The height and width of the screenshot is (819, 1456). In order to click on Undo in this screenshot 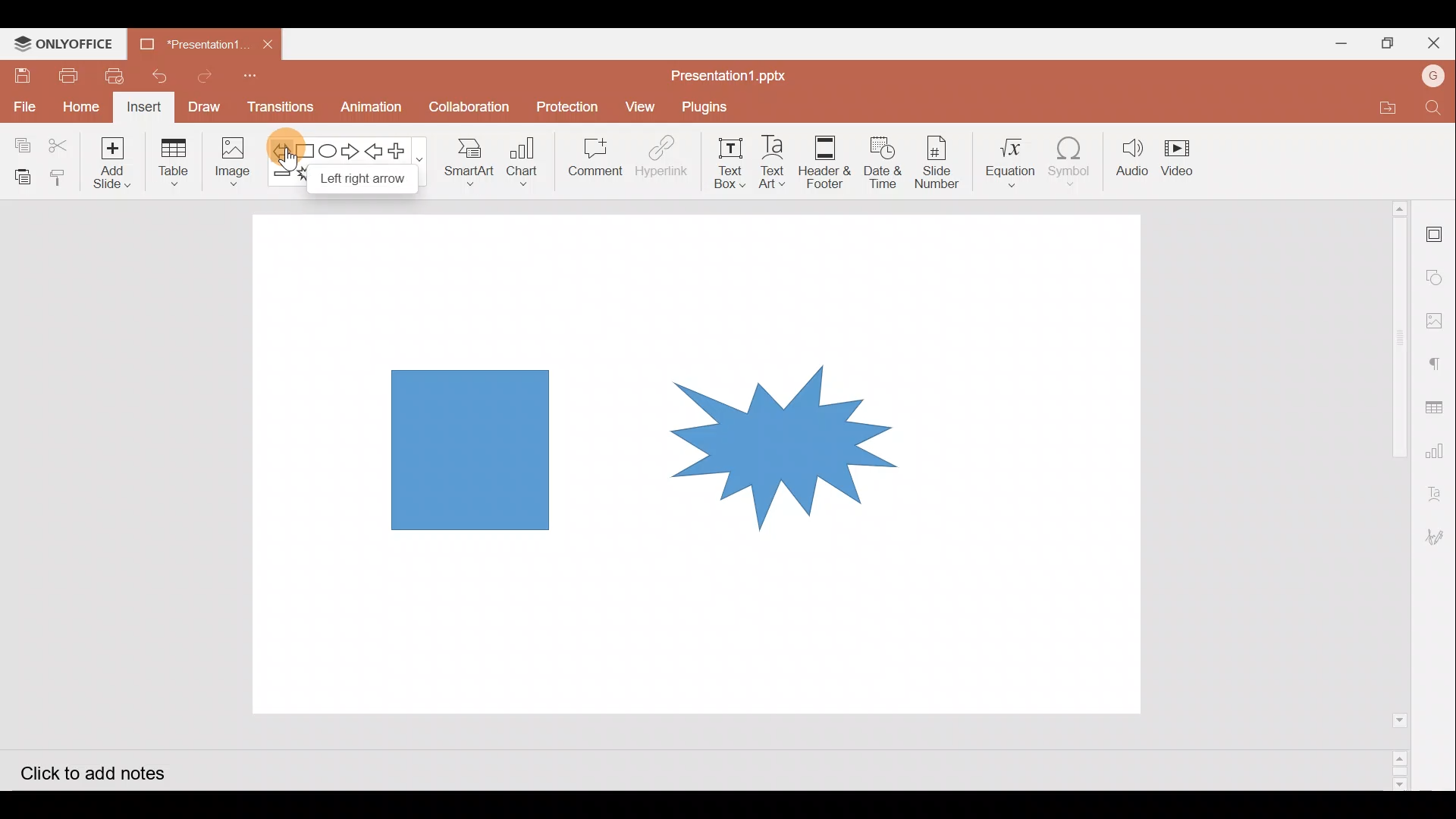, I will do `click(165, 77)`.